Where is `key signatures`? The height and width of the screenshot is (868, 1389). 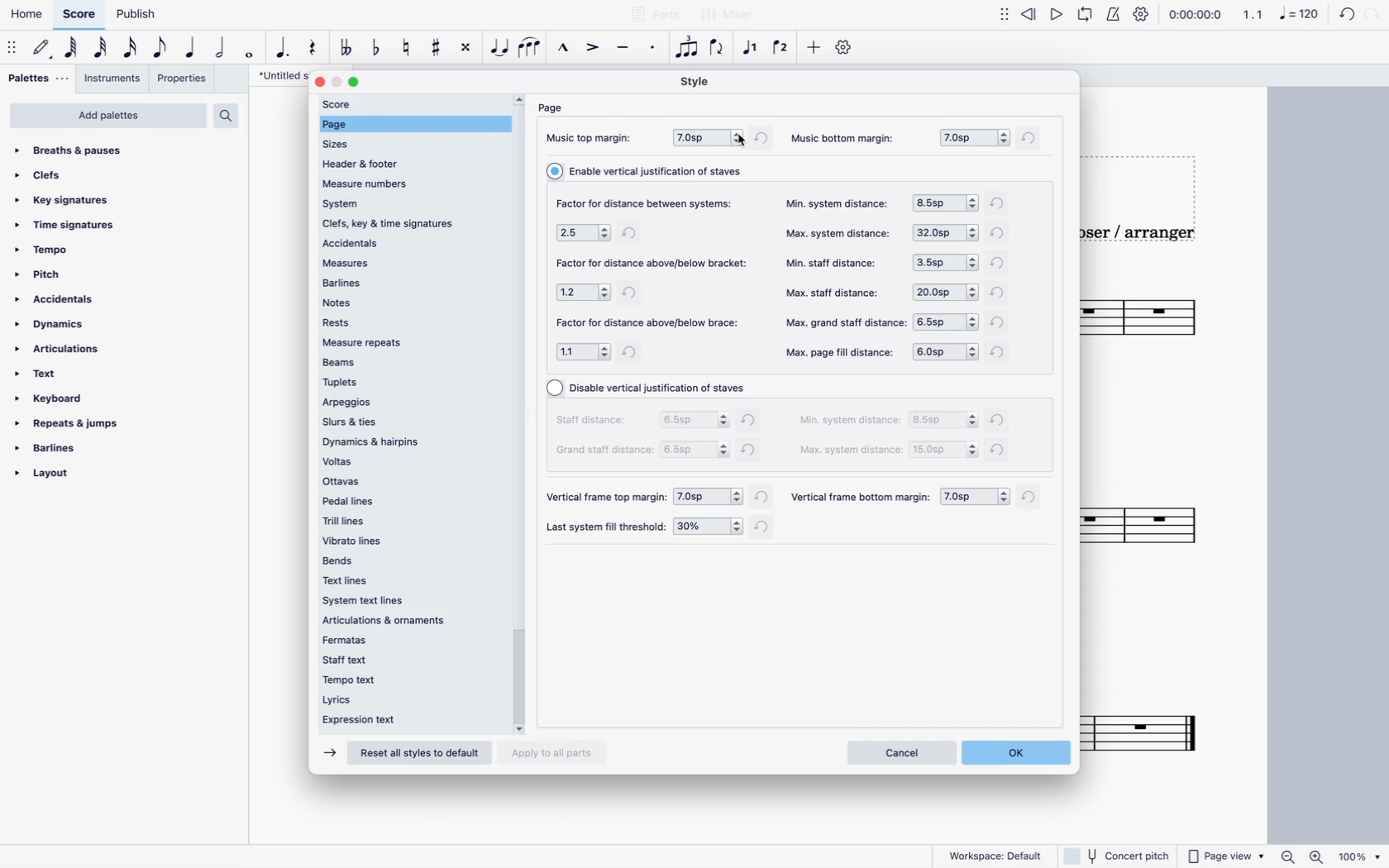 key signatures is located at coordinates (69, 200).